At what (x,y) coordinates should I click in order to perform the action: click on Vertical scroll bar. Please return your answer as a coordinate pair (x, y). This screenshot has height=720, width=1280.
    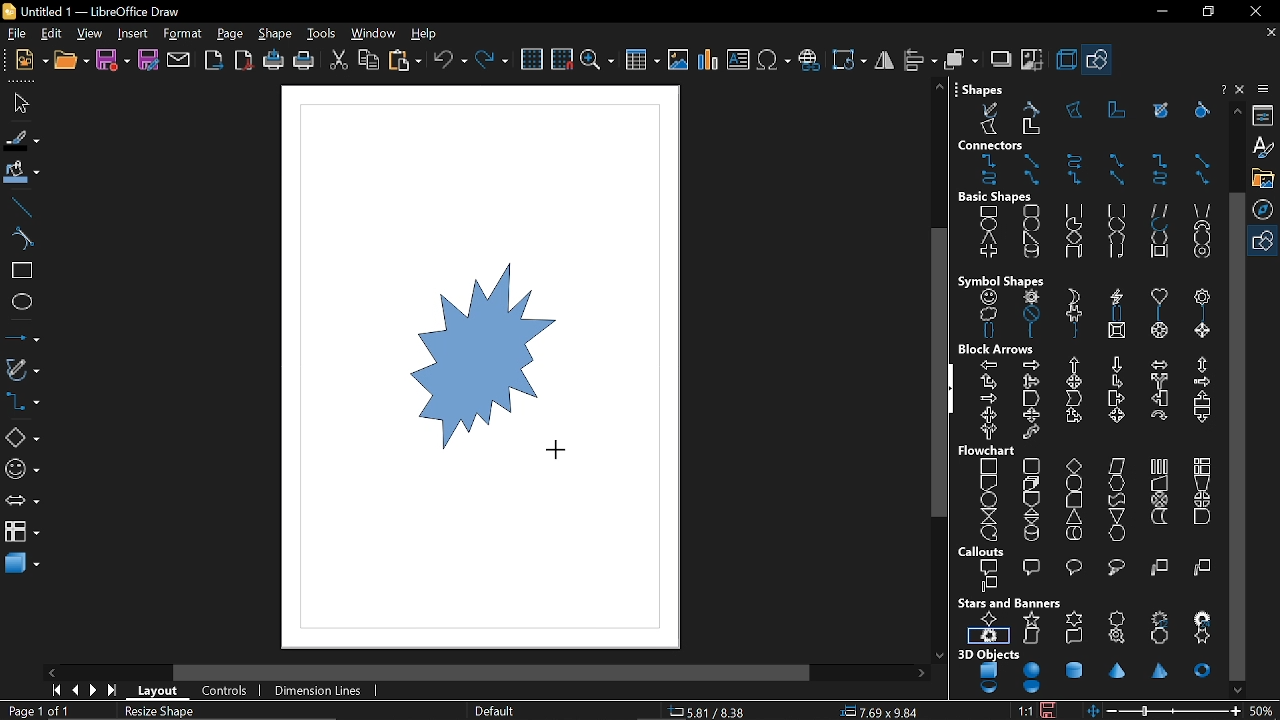
    Looking at the image, I should click on (935, 370).